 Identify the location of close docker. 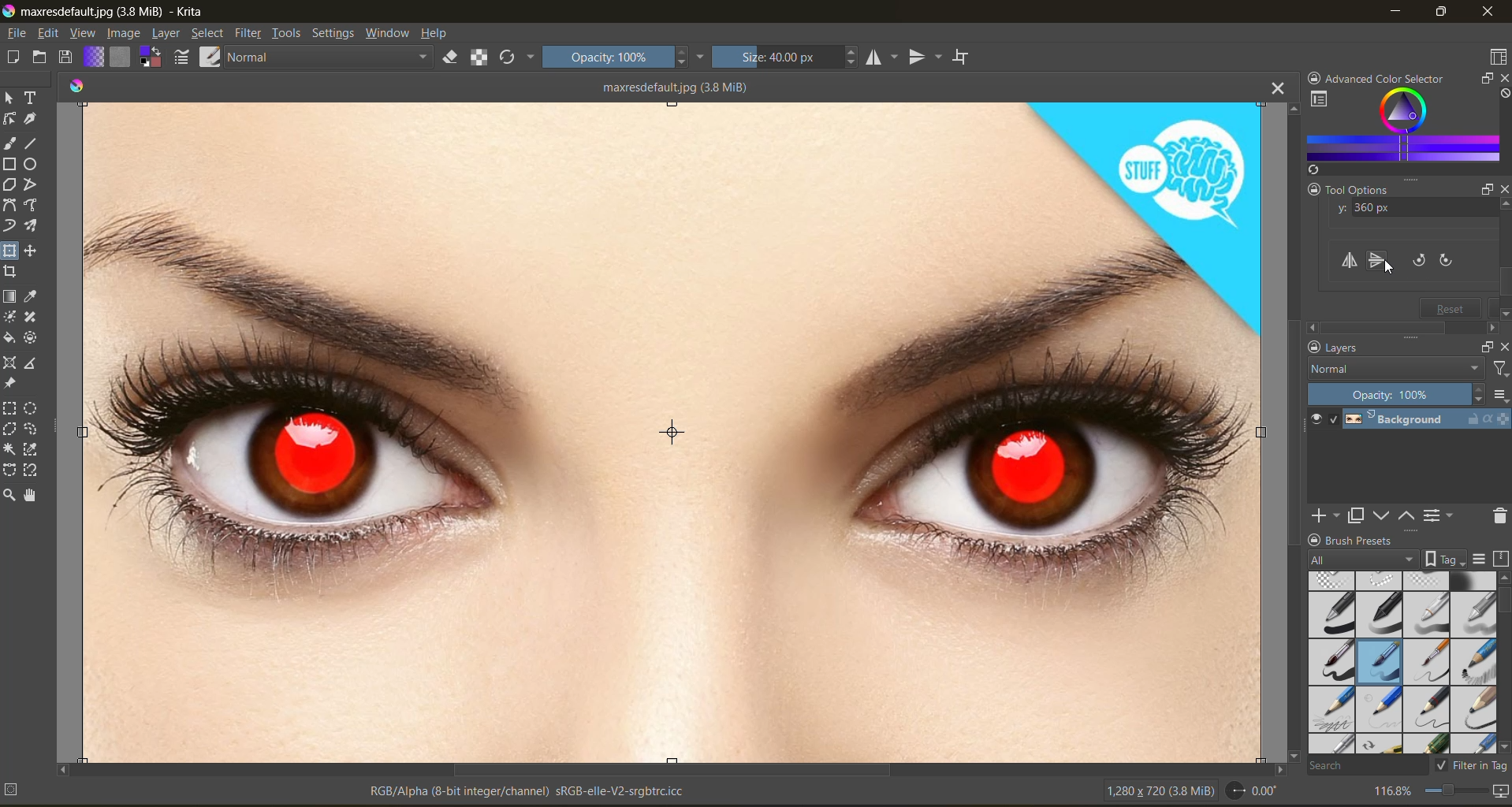
(1503, 351).